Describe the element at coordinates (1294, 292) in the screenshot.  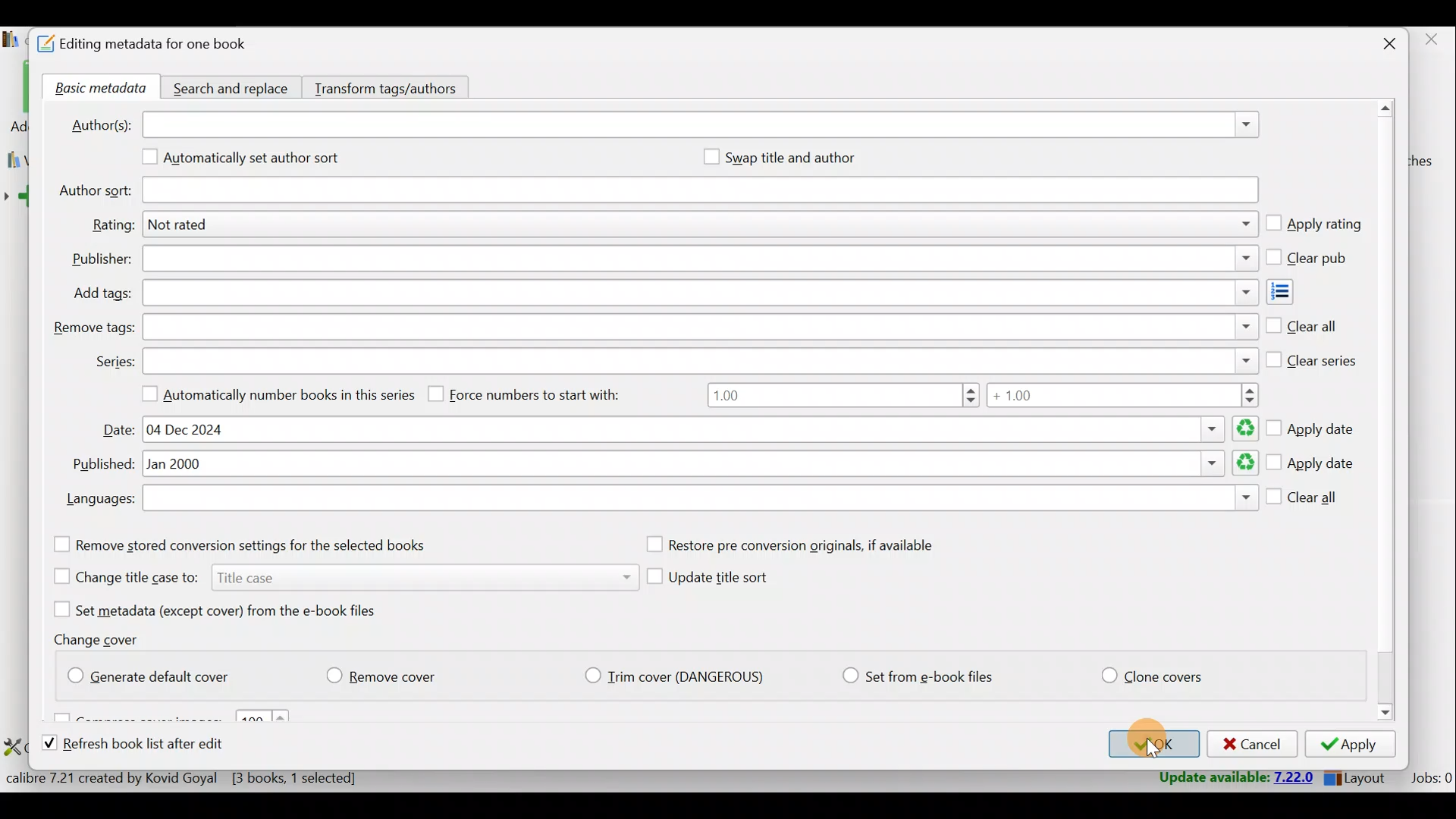
I see `Add tags` at that location.